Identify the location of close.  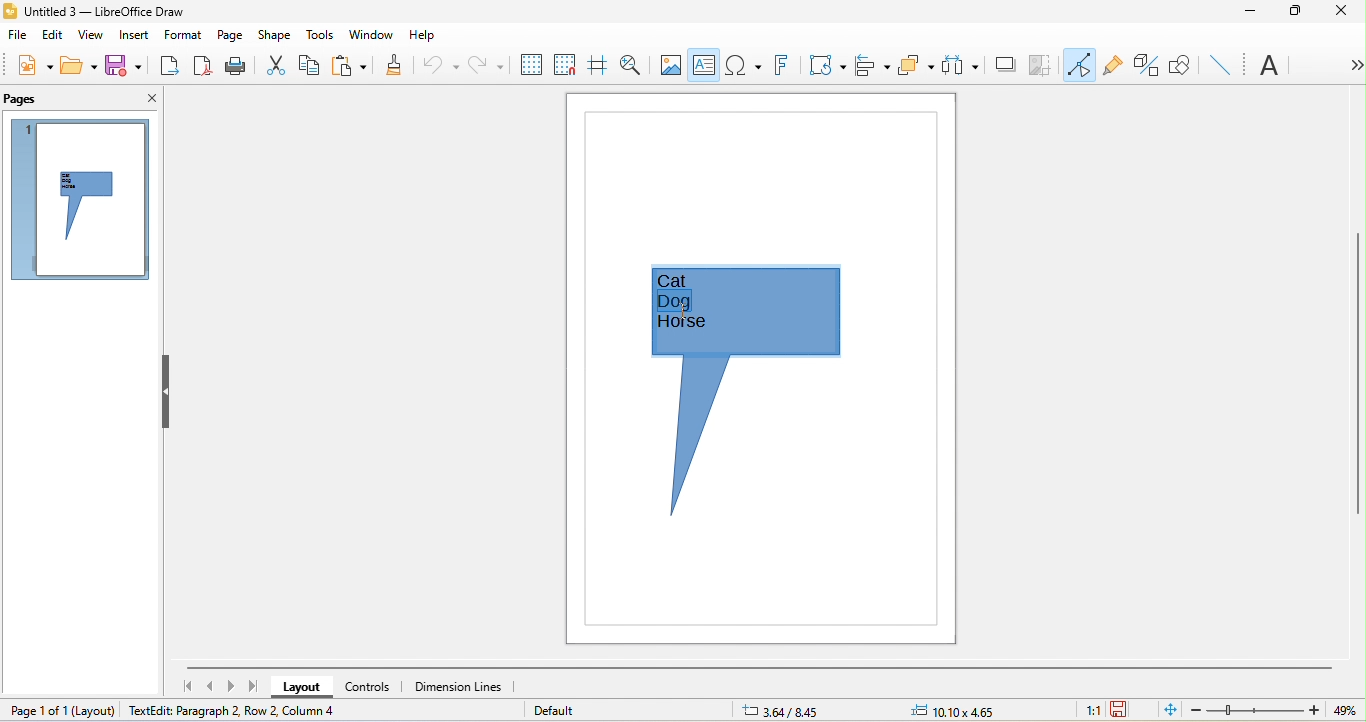
(1343, 15).